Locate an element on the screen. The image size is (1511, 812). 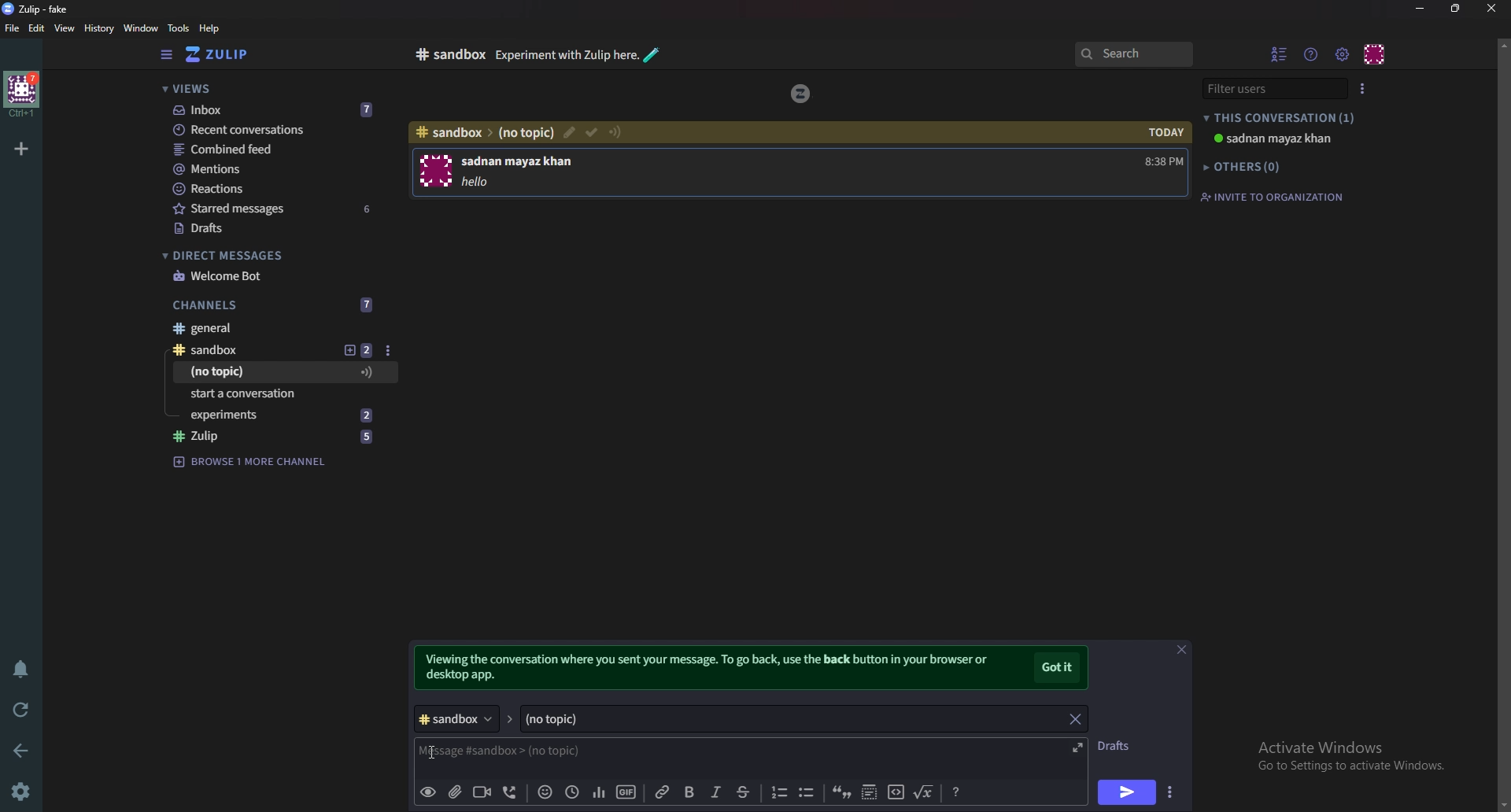
Experiments 2 is located at coordinates (284, 415).